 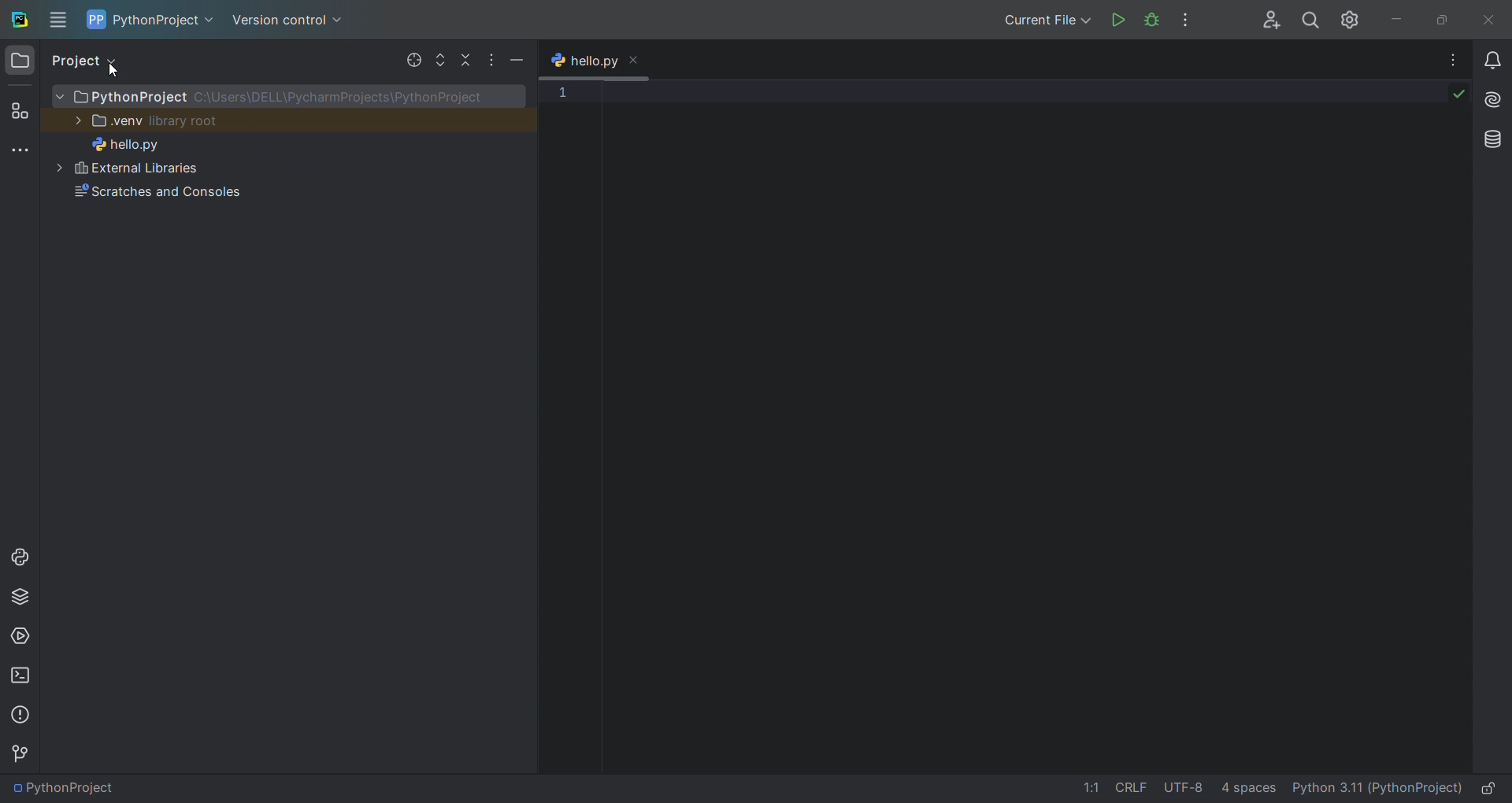 What do you see at coordinates (20, 593) in the screenshot?
I see `python package` at bounding box center [20, 593].